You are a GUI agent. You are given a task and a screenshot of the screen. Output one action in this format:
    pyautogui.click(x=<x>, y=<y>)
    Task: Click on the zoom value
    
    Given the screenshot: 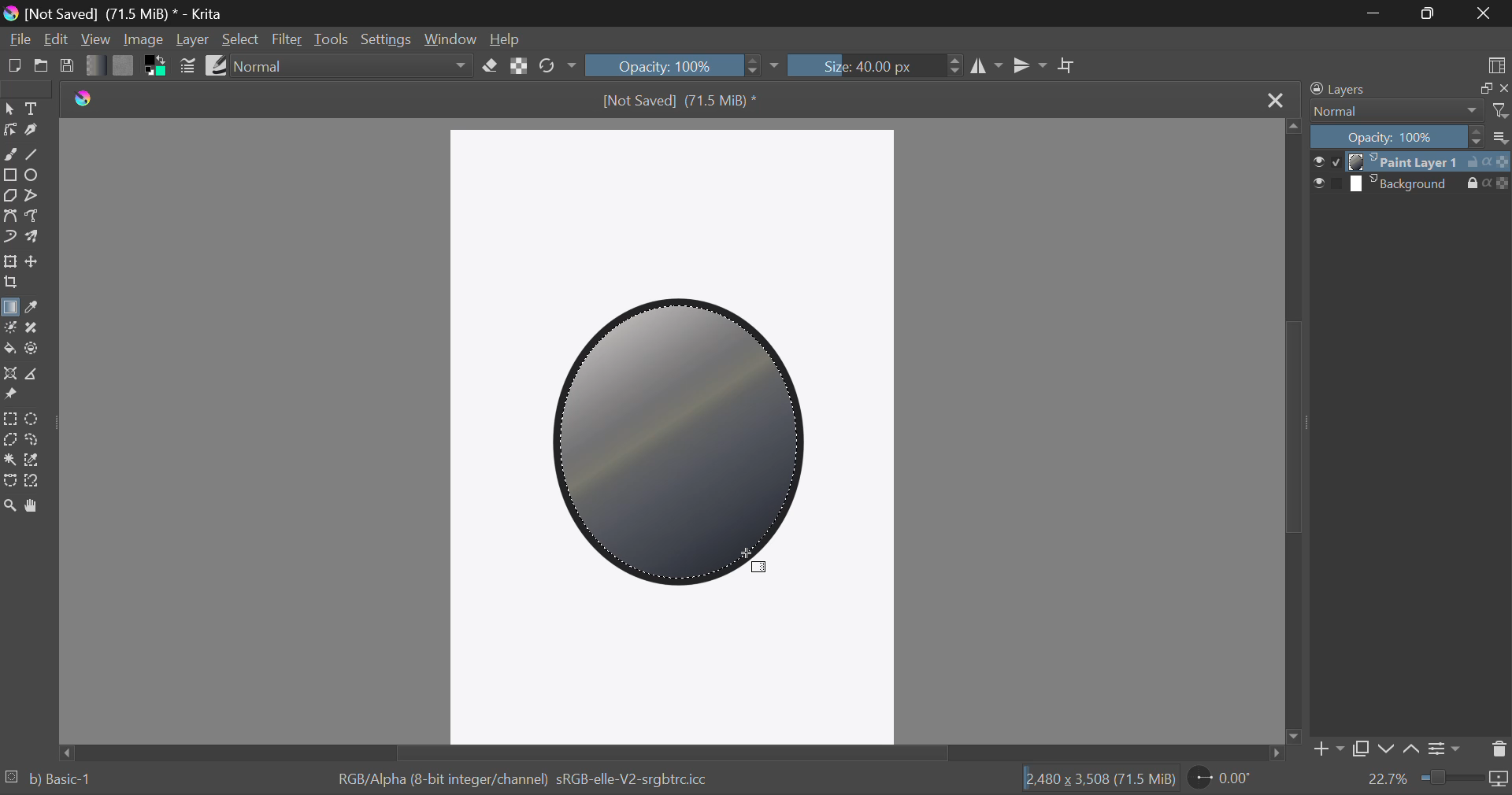 What is the action you would take?
    pyautogui.click(x=1389, y=779)
    